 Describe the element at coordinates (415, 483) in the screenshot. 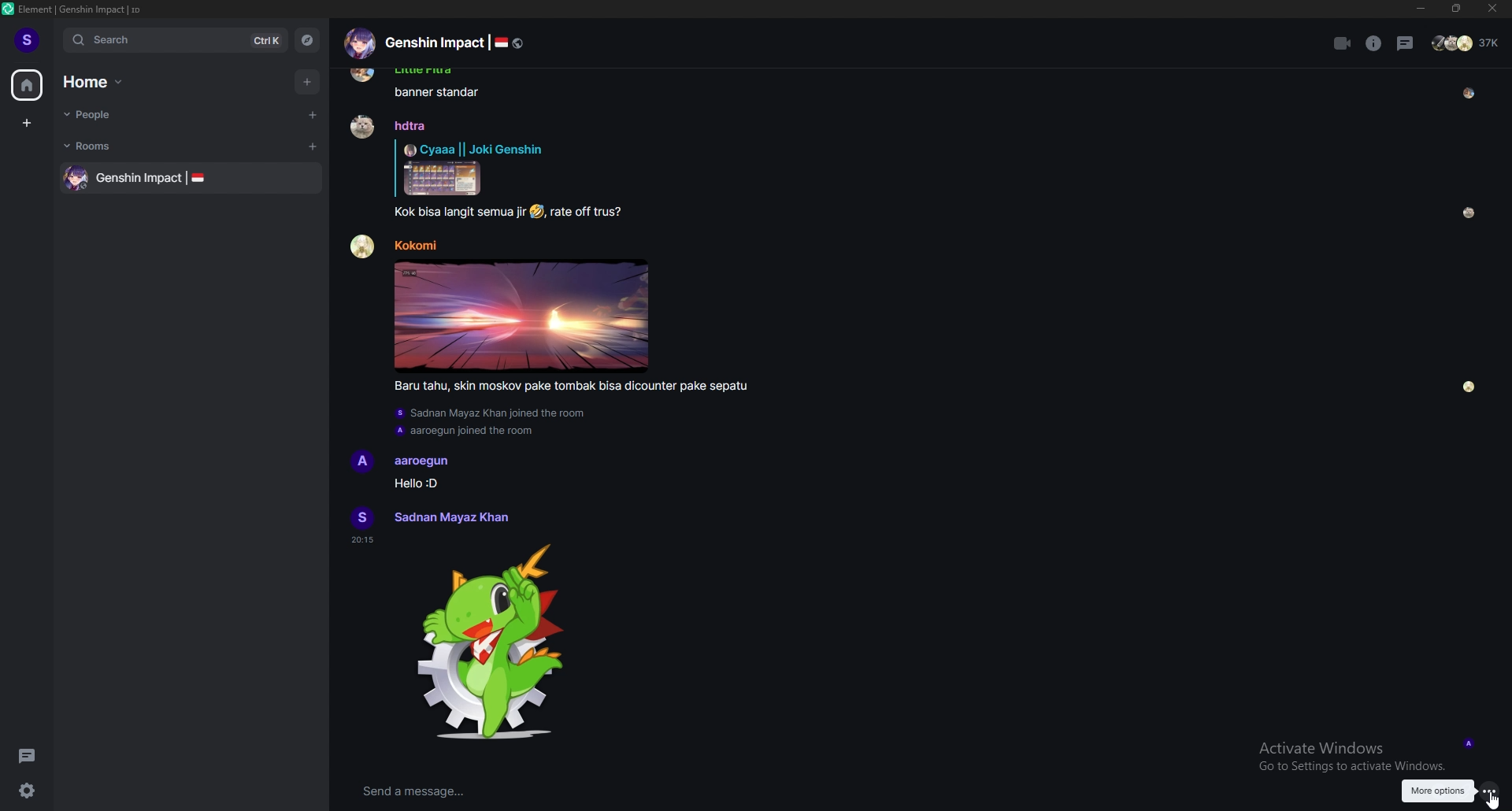

I see `Hello :D` at that location.